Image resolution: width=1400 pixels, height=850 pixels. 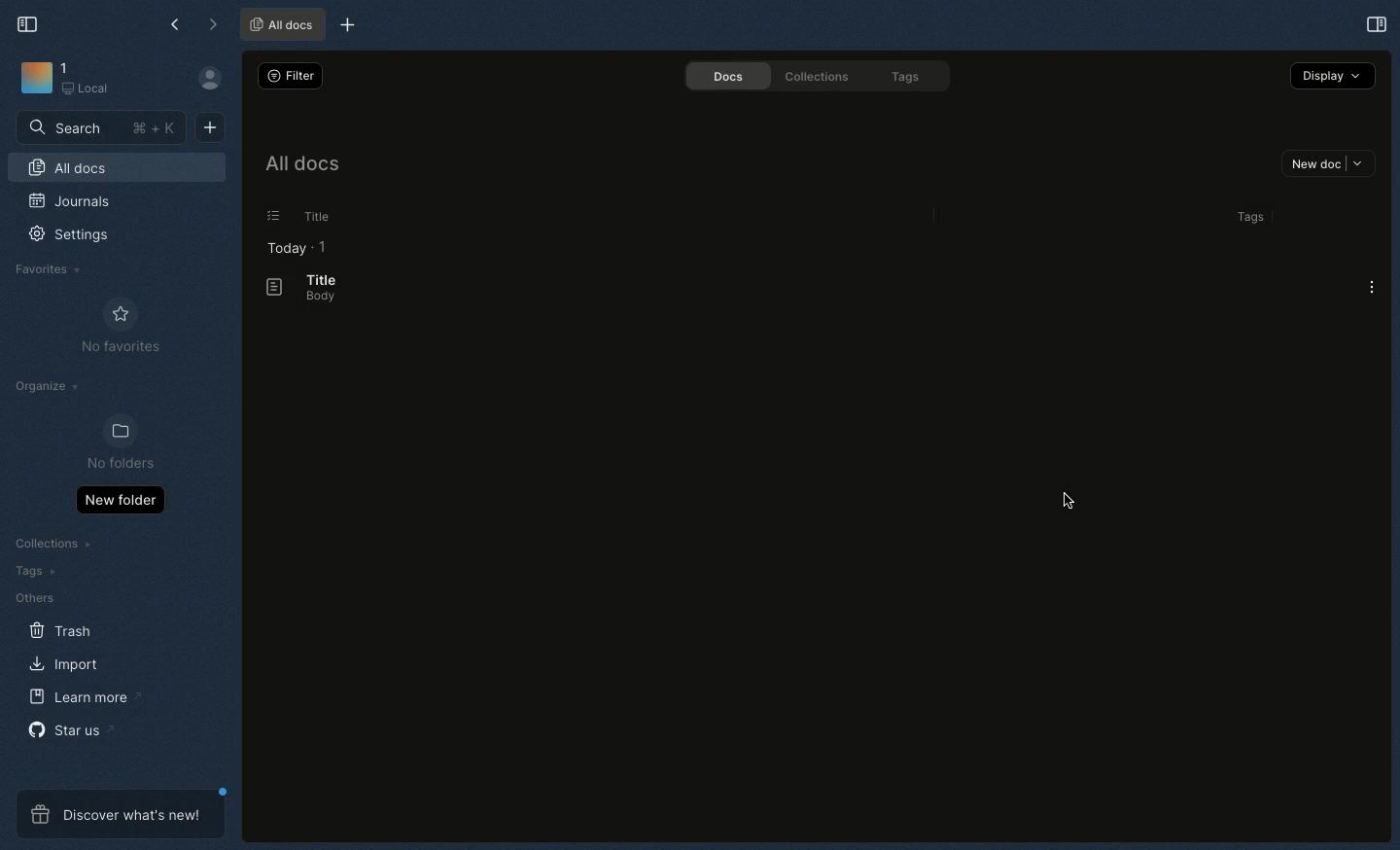 I want to click on New folder, so click(x=120, y=499).